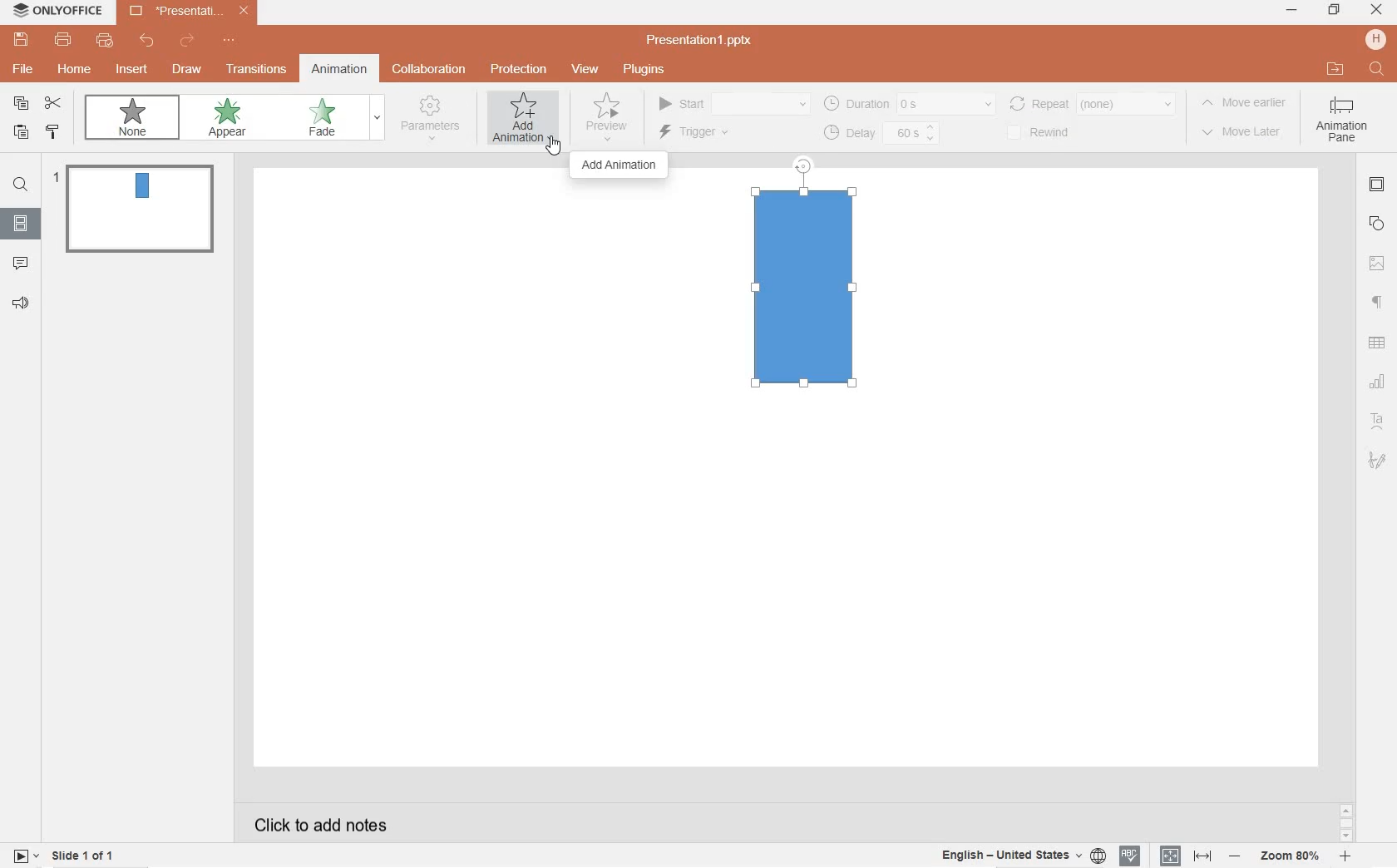  What do you see at coordinates (1246, 106) in the screenshot?
I see `move earlier` at bounding box center [1246, 106].